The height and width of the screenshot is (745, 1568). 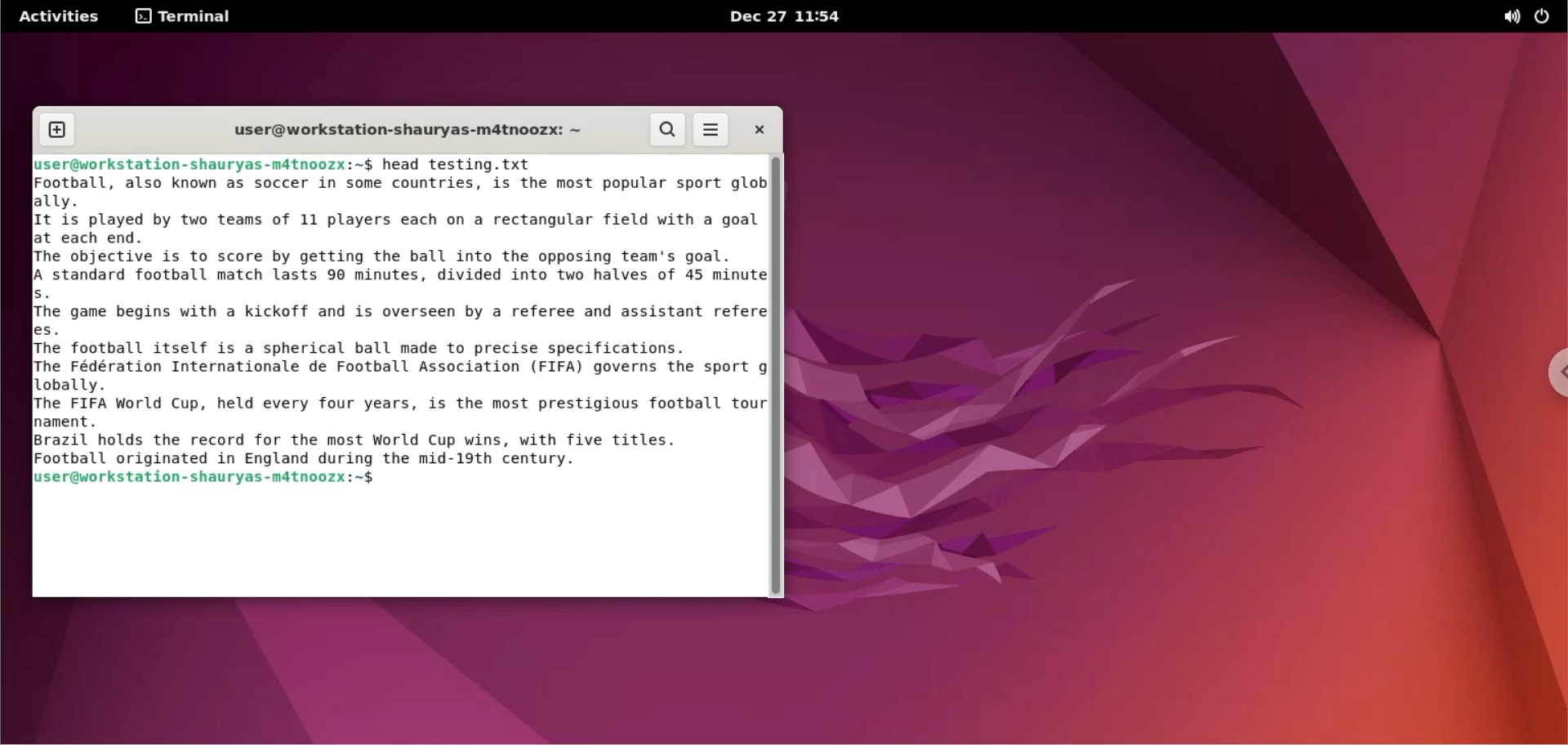 What do you see at coordinates (385, 322) in the screenshot?
I see `Football, also known as soccer in some countries, is the most popular sport glo
ally.

It is played by two teams of 11 players each on a rectangular field with a goal
at each end.

The objective is to score by getting the ball into the opposing team's goal.

A standard football match lasts 96 minutes, divided into two halves of 45 minut
s.

[The game begins with a kickoff and is overseen by a referee and assistant refer
es.

The football itself is a spherical ball made to precise specifications.

[The Fédération Internationale de Football Association (FIFA) governs the sport
lobally.

The FIFA World Cup, held every four years, is the most prestigious football tou
nament.

Brazil holds the record for the most World Cup wins, with five titles.

Football originated in England during the mid-19th century.` at bounding box center [385, 322].